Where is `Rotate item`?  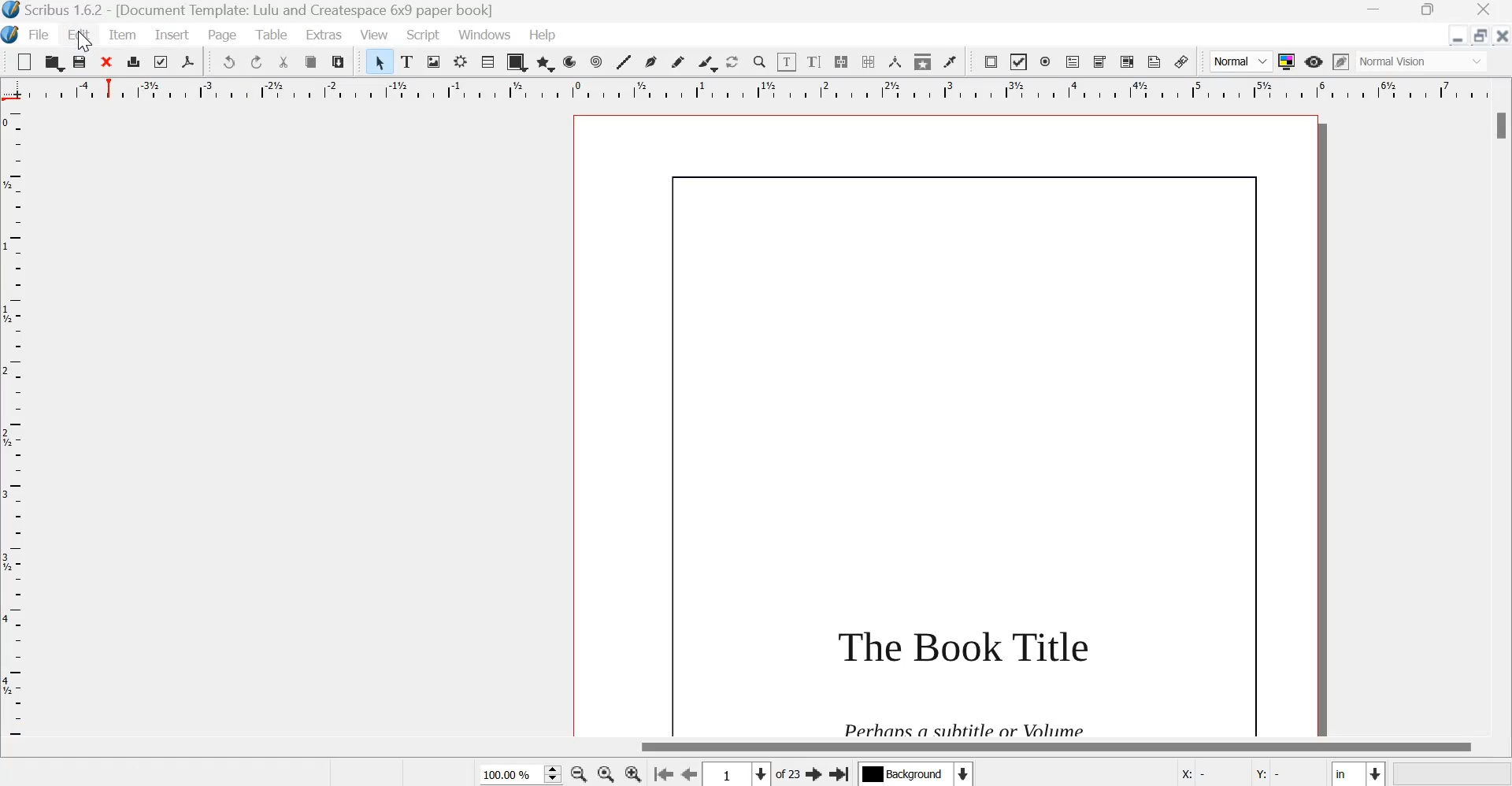
Rotate item is located at coordinates (732, 61).